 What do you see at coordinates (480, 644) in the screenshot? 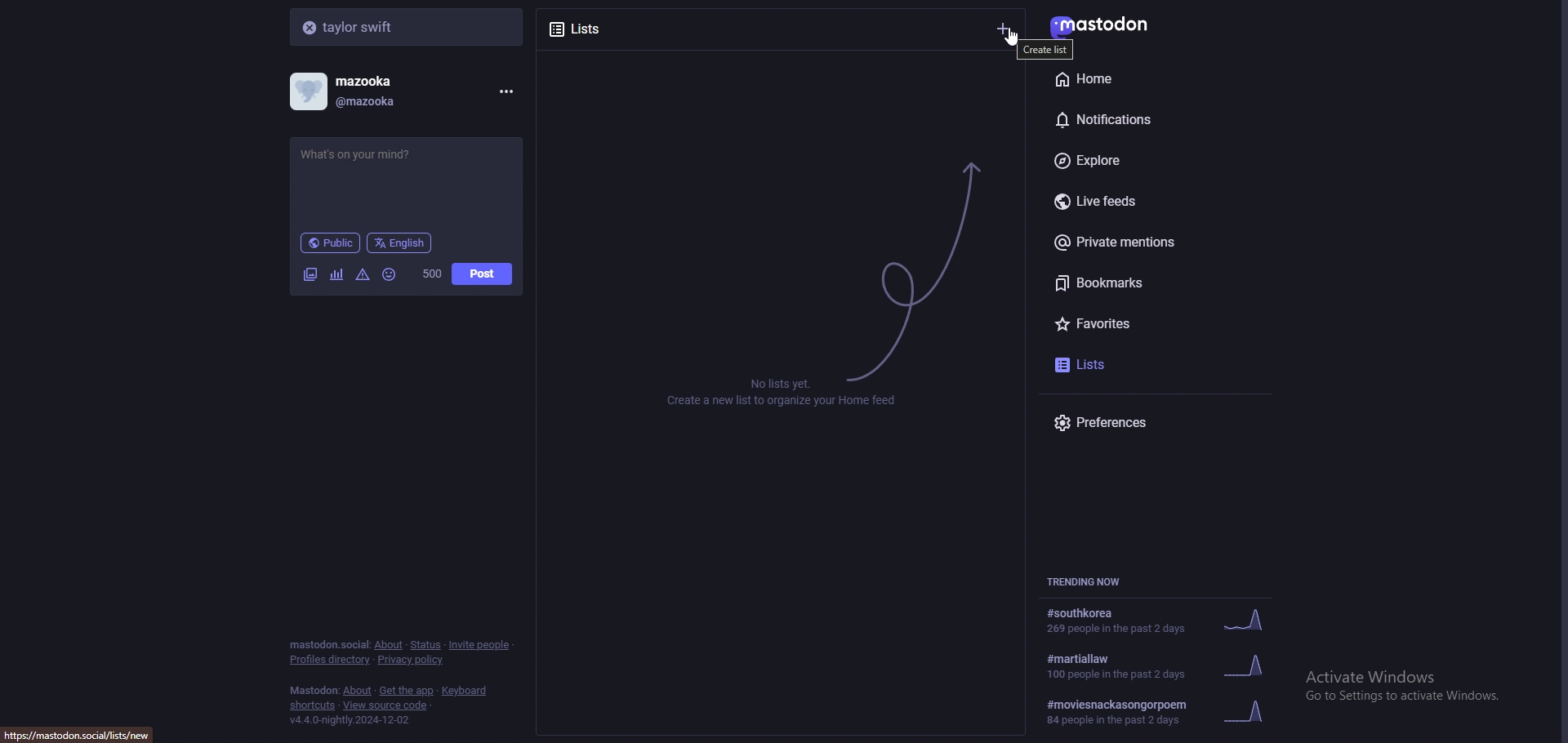
I see `invite people` at bounding box center [480, 644].